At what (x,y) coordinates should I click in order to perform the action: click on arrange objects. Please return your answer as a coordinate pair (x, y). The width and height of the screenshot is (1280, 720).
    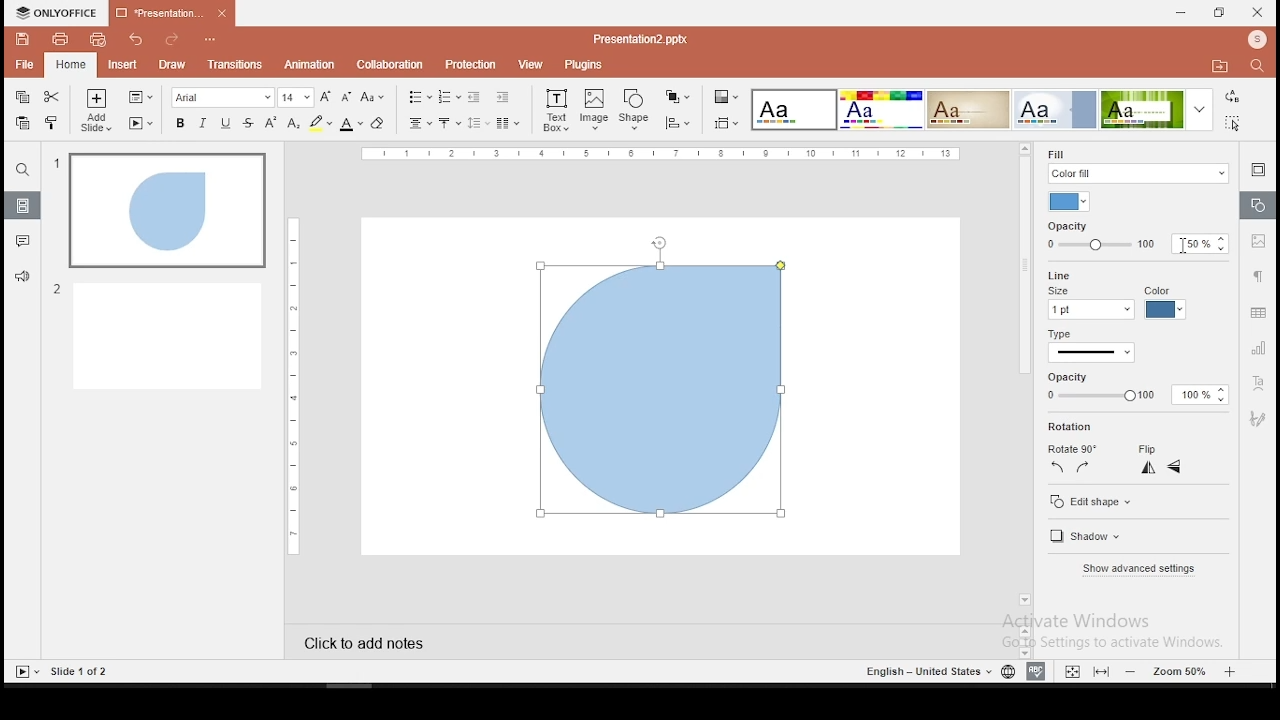
    Looking at the image, I should click on (675, 97).